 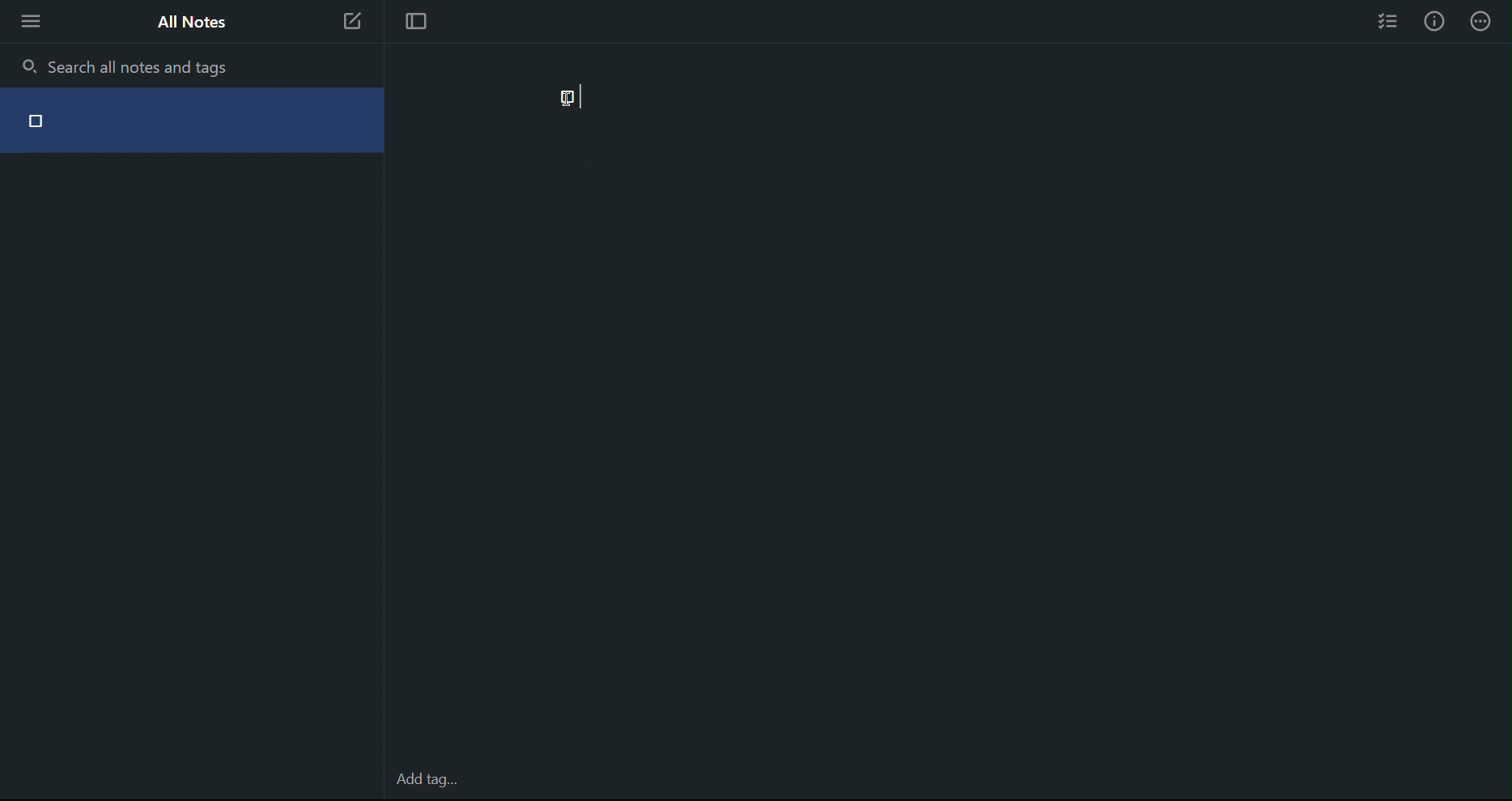 I want to click on Info, so click(x=1489, y=21).